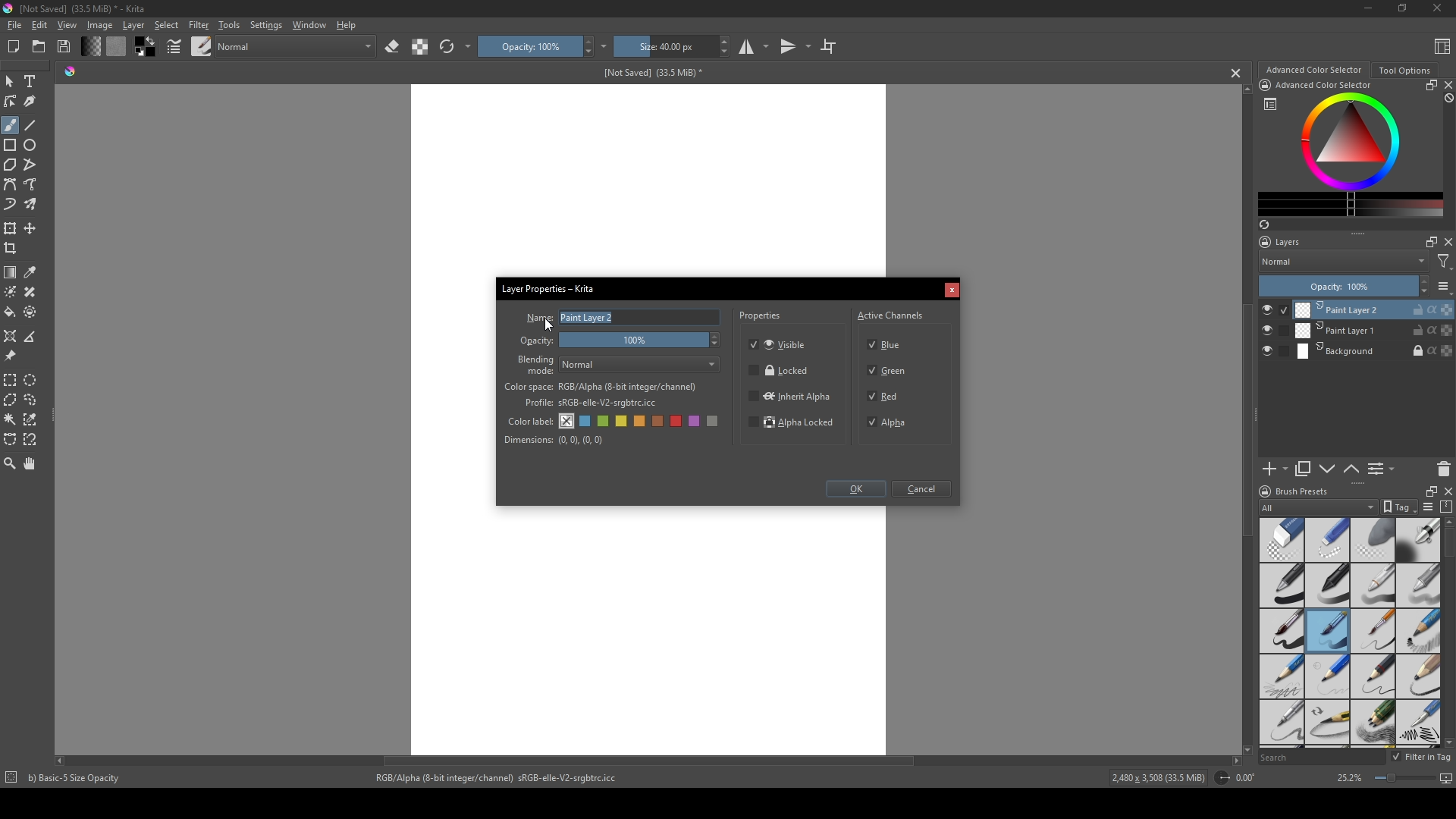 This screenshot has height=819, width=1456. What do you see at coordinates (1447, 742) in the screenshot?
I see `scroll down` at bounding box center [1447, 742].